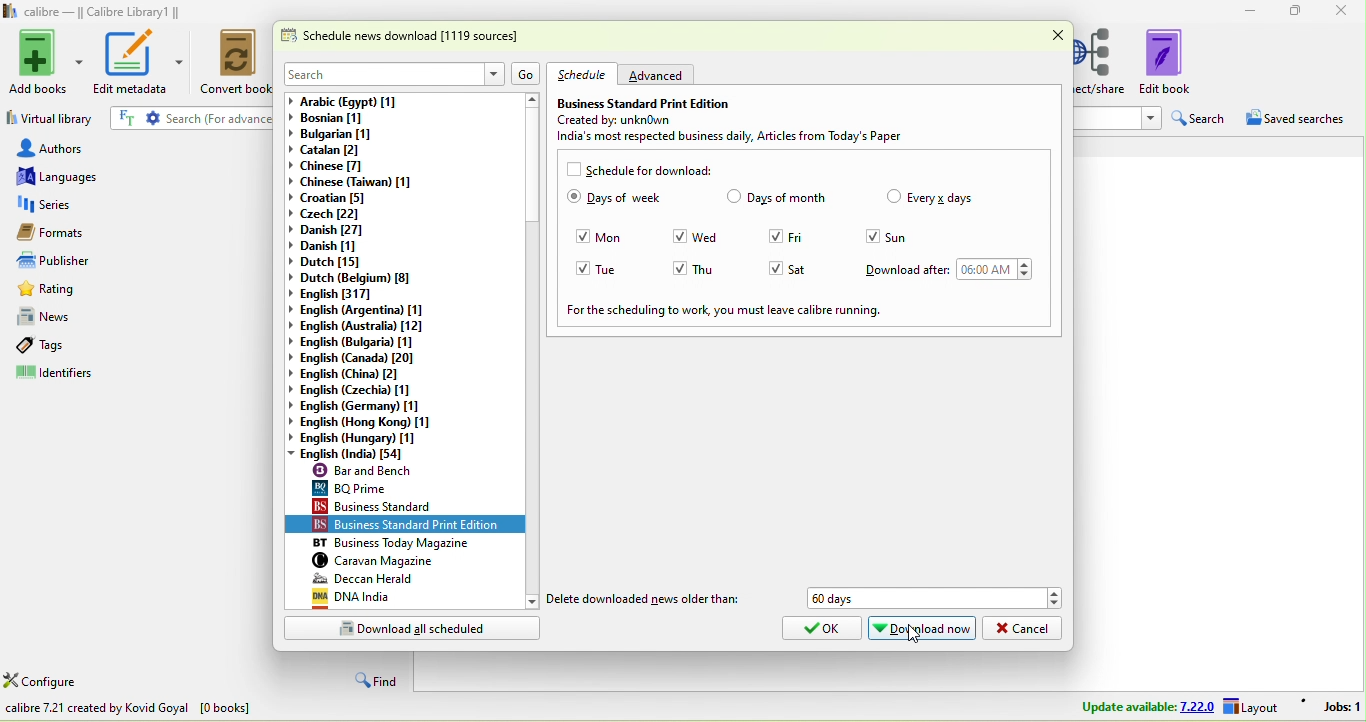 This screenshot has height=722, width=1366. I want to click on thu, so click(718, 268).